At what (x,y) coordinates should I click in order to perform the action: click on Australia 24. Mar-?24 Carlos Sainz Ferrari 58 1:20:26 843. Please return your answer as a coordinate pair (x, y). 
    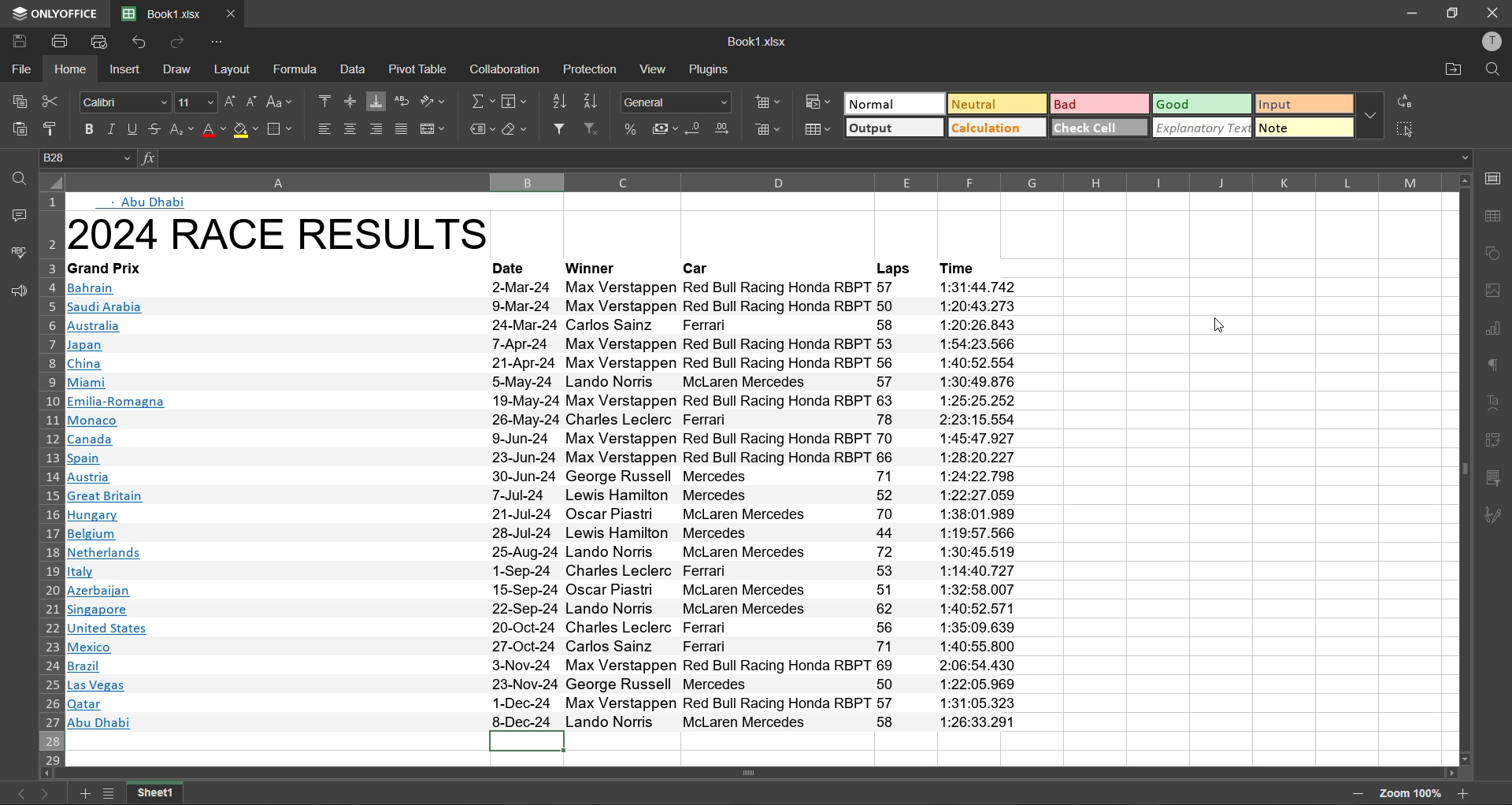
    Looking at the image, I should click on (543, 327).